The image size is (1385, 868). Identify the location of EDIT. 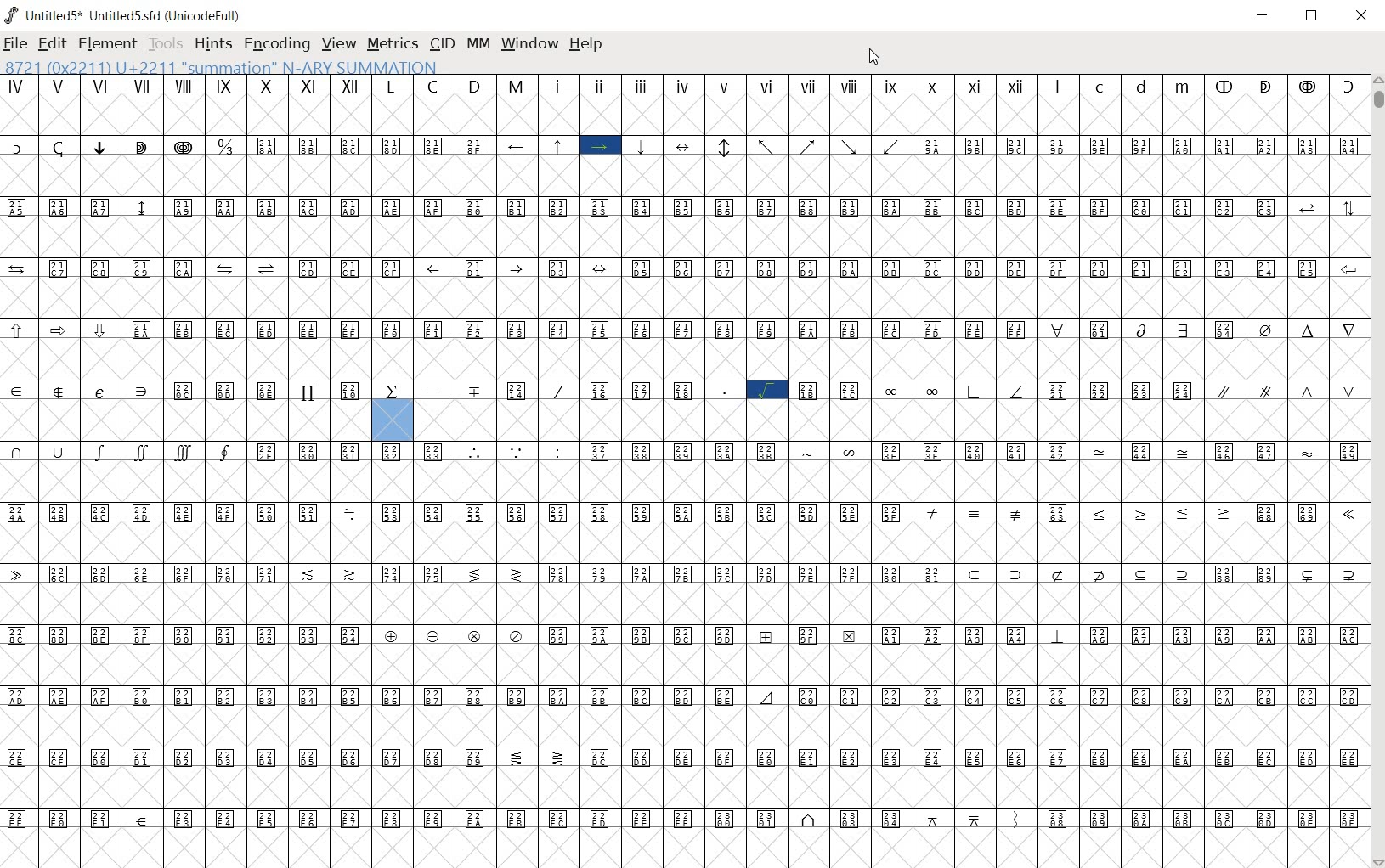
(51, 45).